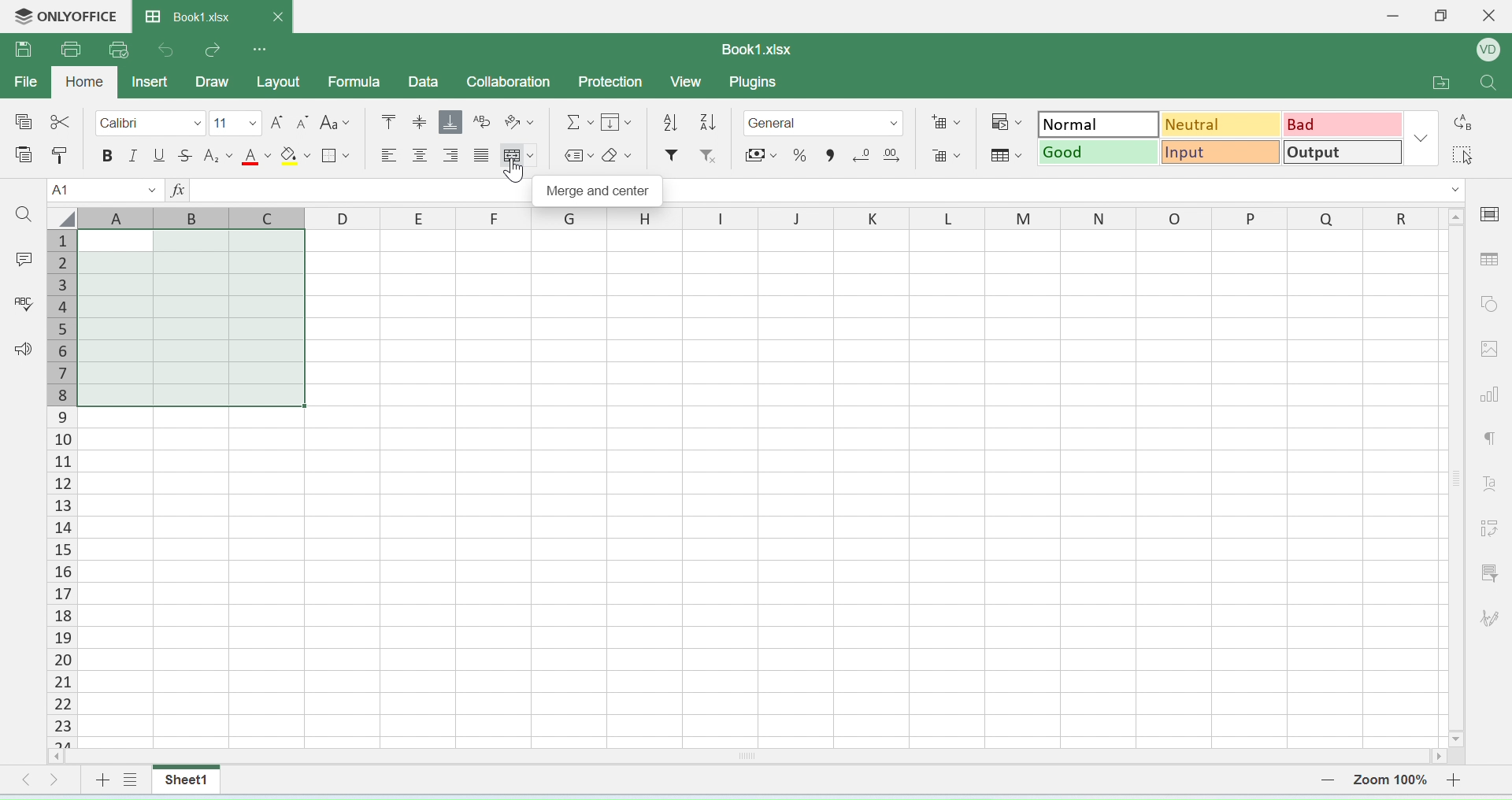 The height and width of the screenshot is (800, 1512). I want to click on underline, so click(158, 156).